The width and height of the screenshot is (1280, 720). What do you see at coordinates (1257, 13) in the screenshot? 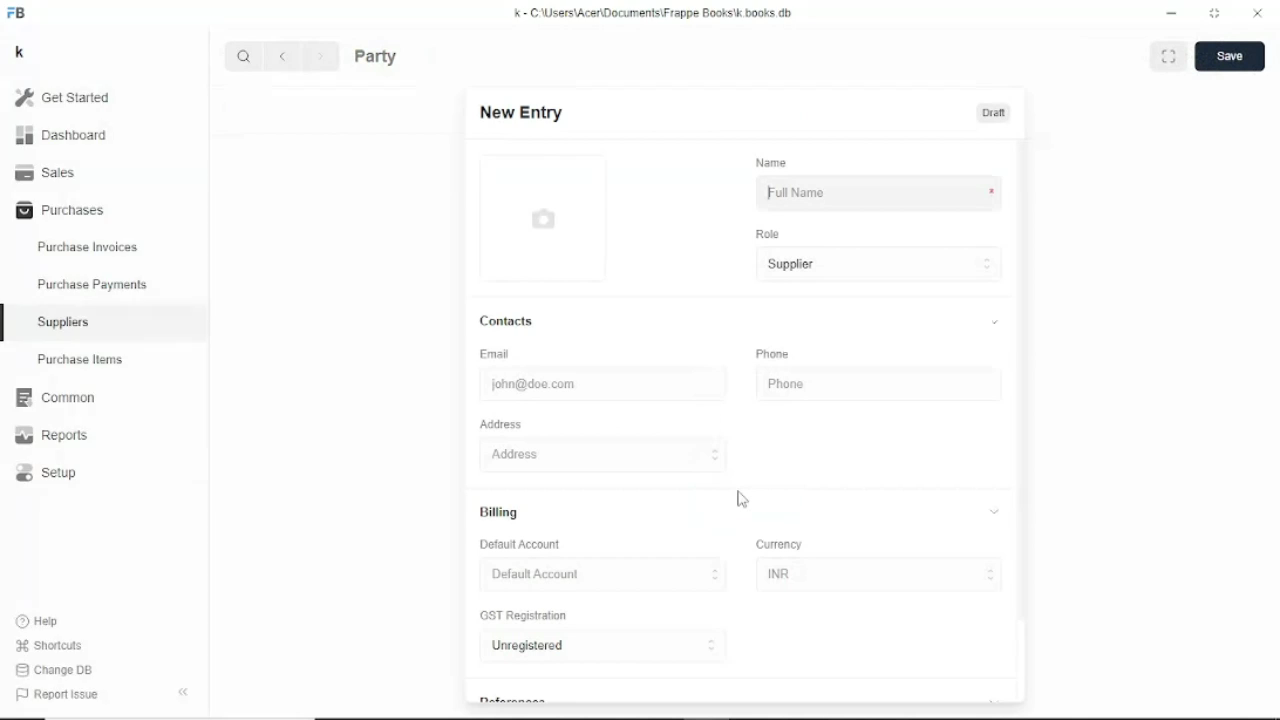
I see `Close` at bounding box center [1257, 13].